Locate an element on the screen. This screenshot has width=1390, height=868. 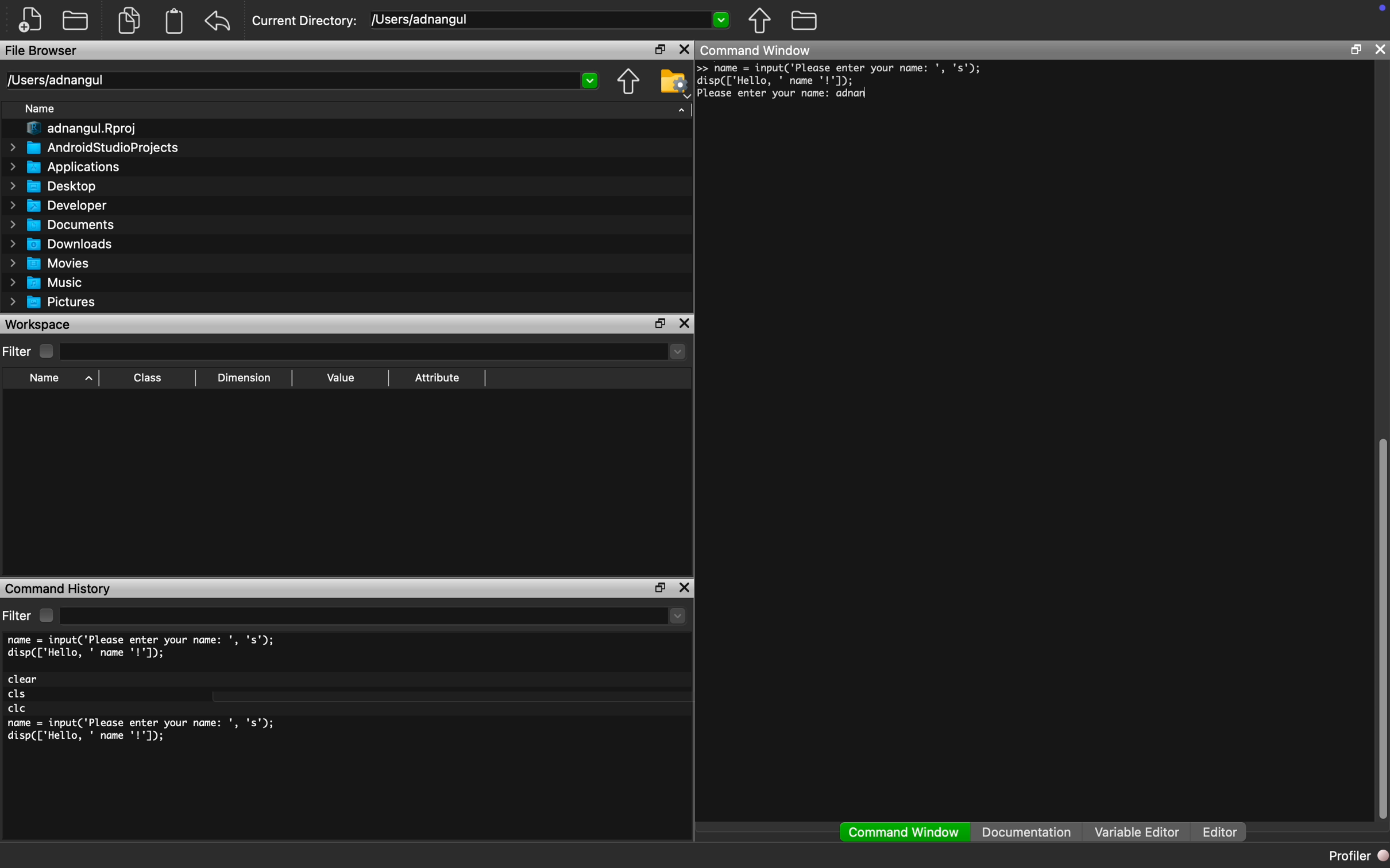
Name is located at coordinates (41, 108).